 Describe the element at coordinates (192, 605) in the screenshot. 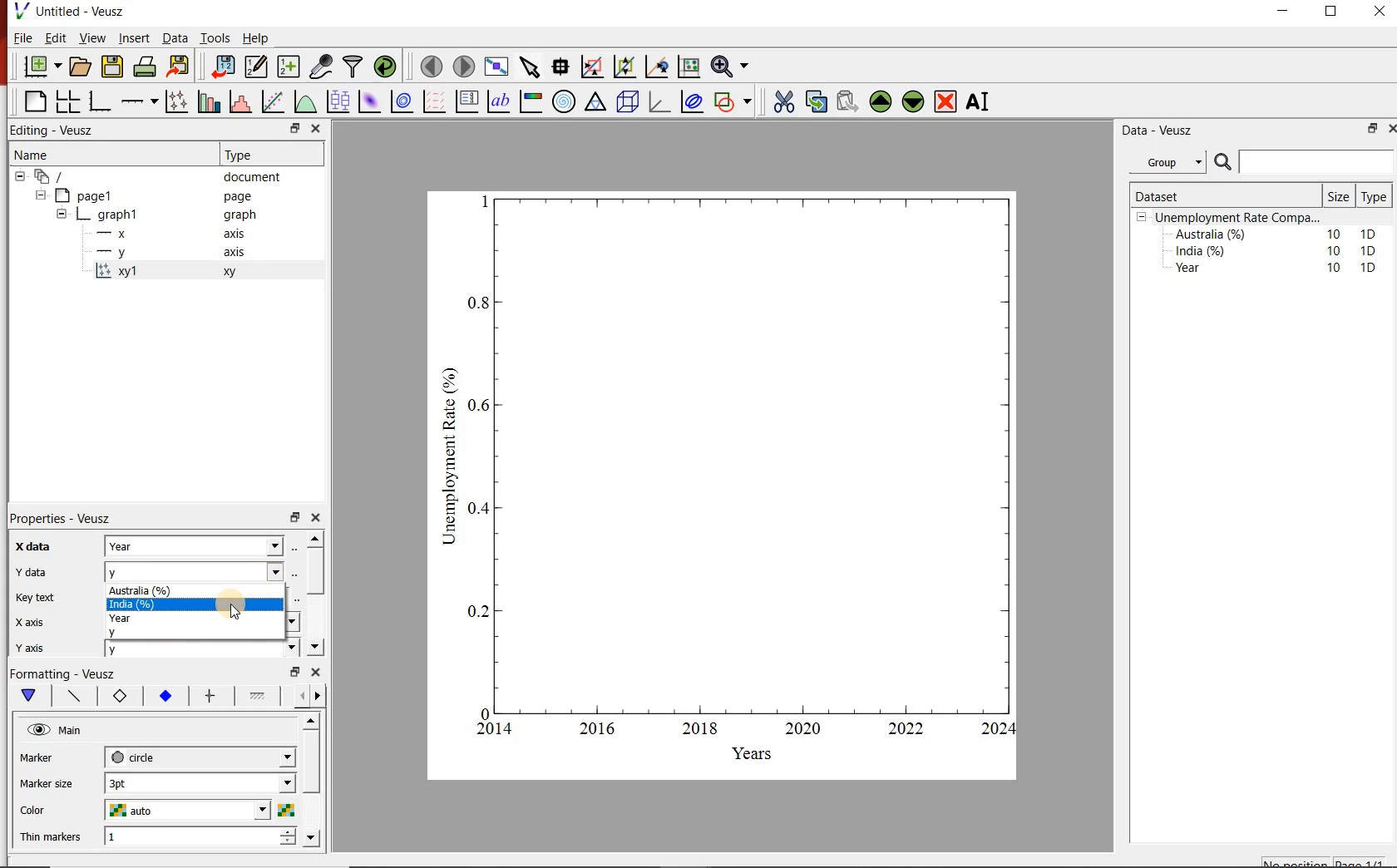

I see `India (%)` at that location.